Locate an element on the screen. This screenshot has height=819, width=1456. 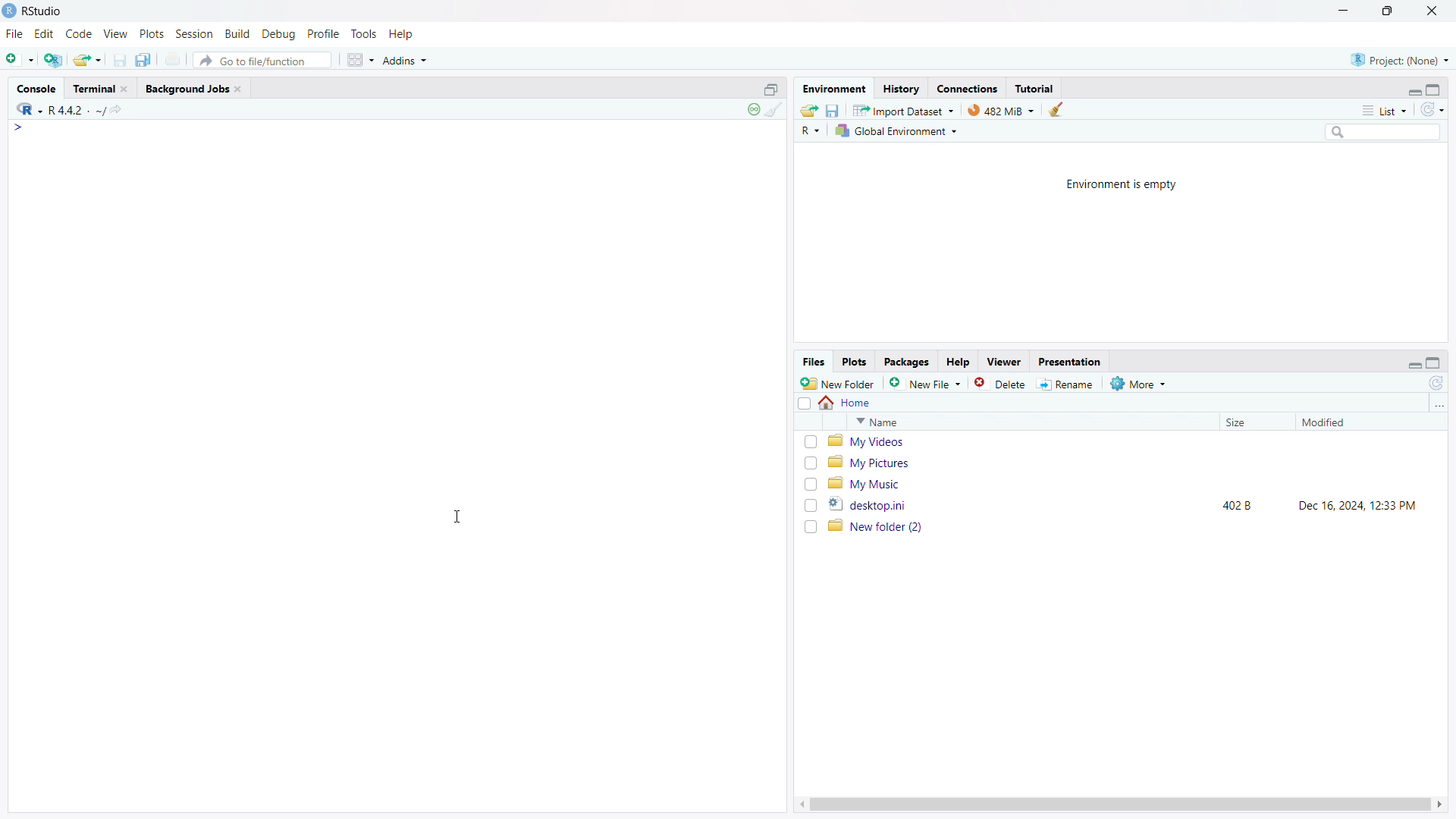
load workspace is located at coordinates (809, 109).